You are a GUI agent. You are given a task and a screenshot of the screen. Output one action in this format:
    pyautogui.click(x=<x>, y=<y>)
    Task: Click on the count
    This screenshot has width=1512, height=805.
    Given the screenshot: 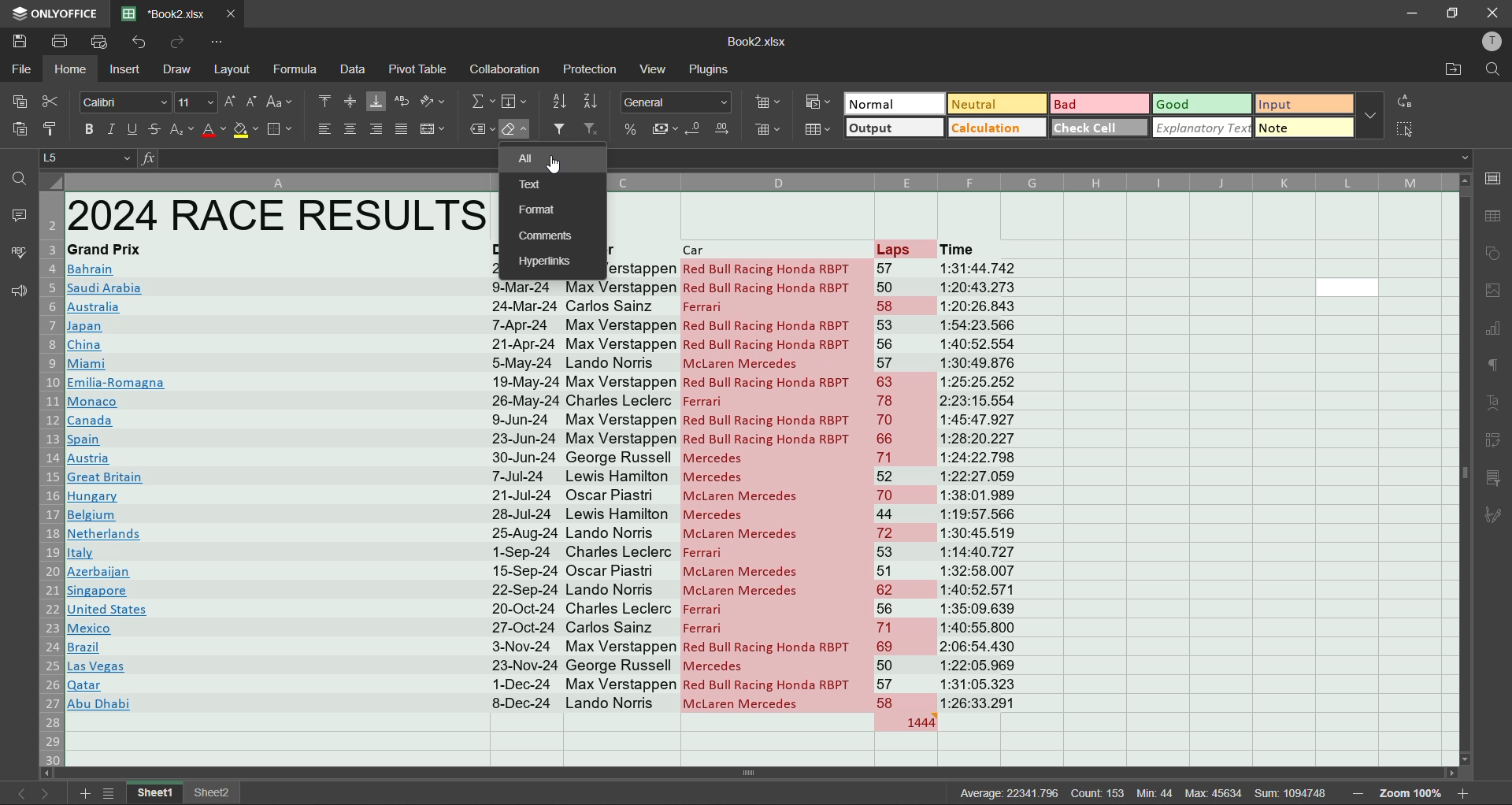 What is the action you would take?
    pyautogui.click(x=1099, y=792)
    